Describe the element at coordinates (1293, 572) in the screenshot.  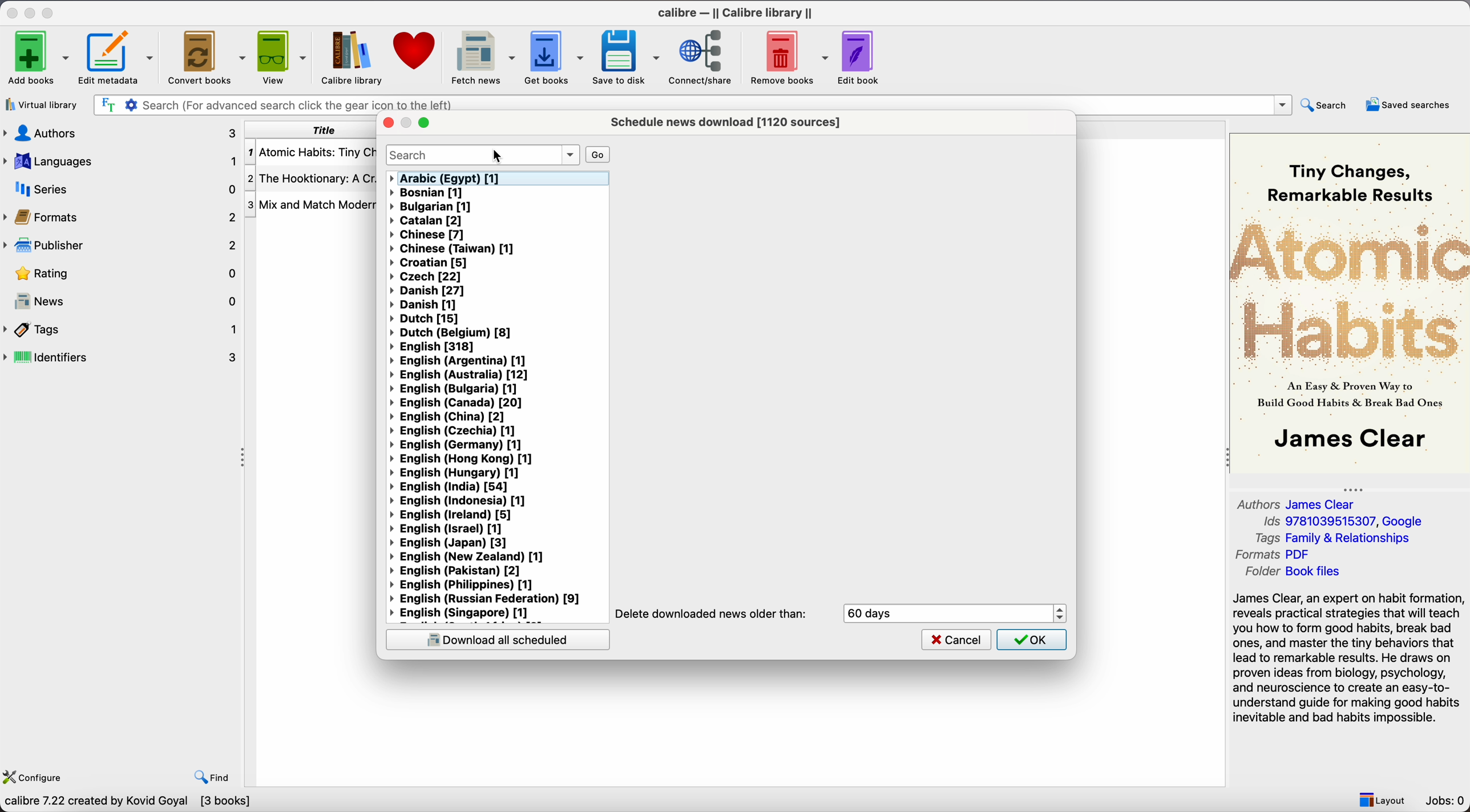
I see `Folder Book files` at that location.